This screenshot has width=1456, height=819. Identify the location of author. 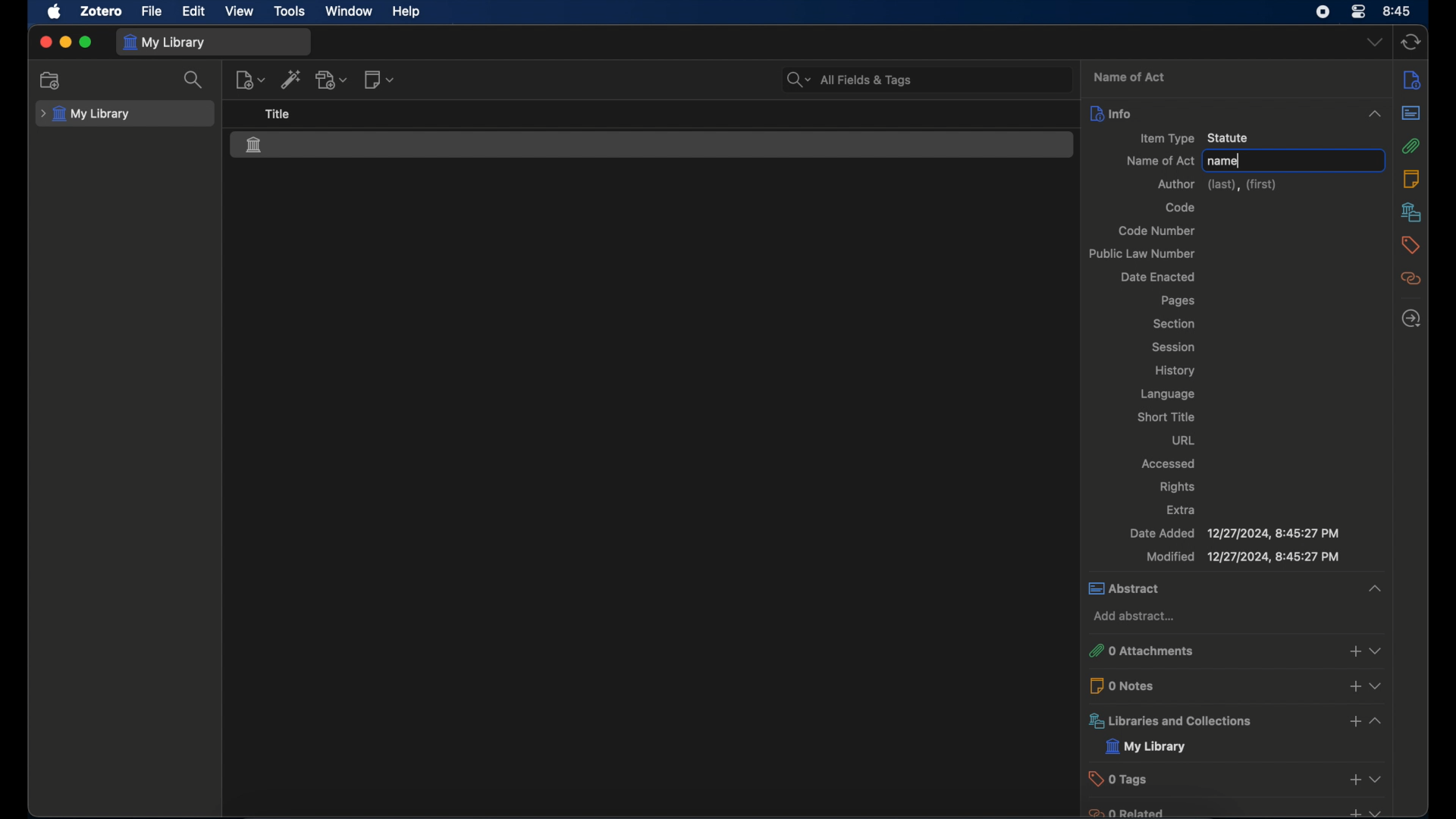
(1216, 185).